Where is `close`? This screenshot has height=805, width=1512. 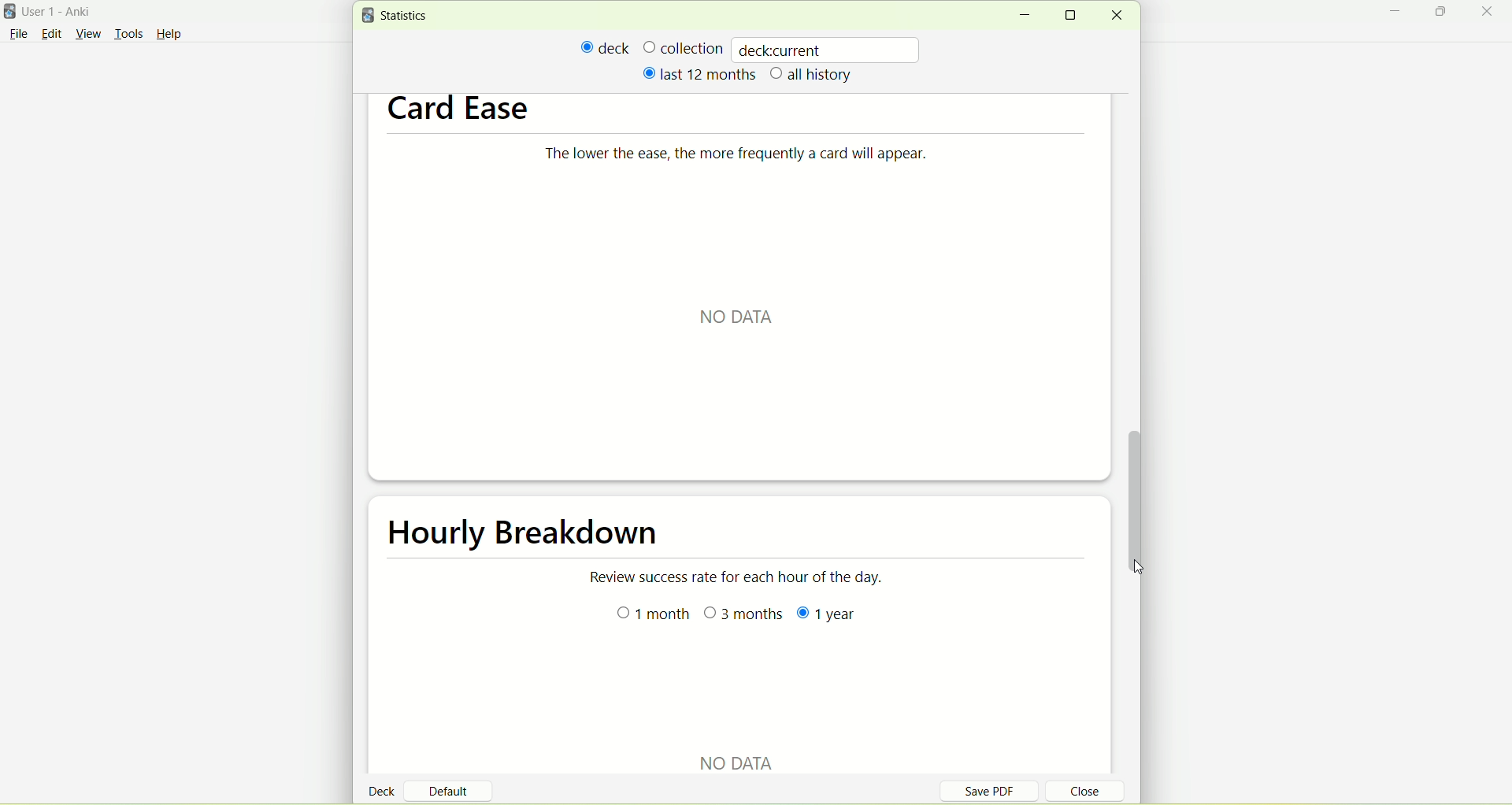
close is located at coordinates (1490, 13).